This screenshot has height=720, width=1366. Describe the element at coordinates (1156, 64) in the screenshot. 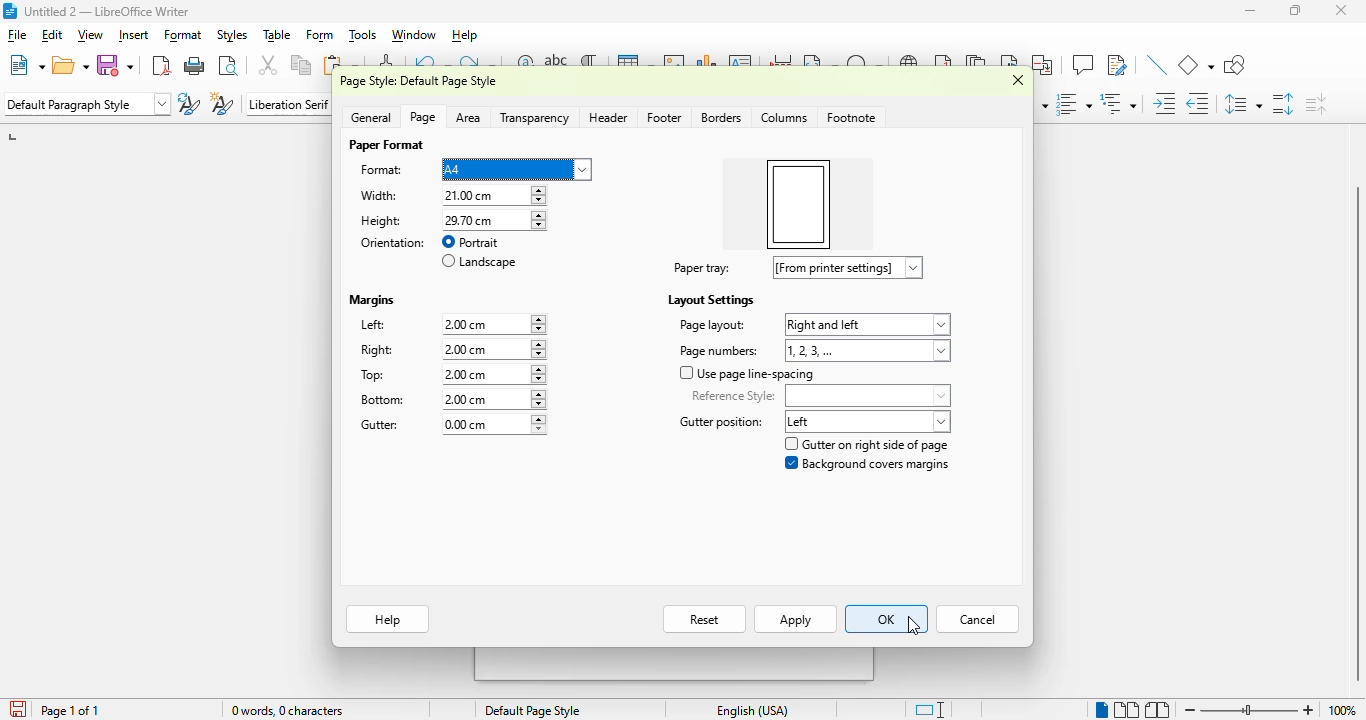

I see `insert line` at that location.